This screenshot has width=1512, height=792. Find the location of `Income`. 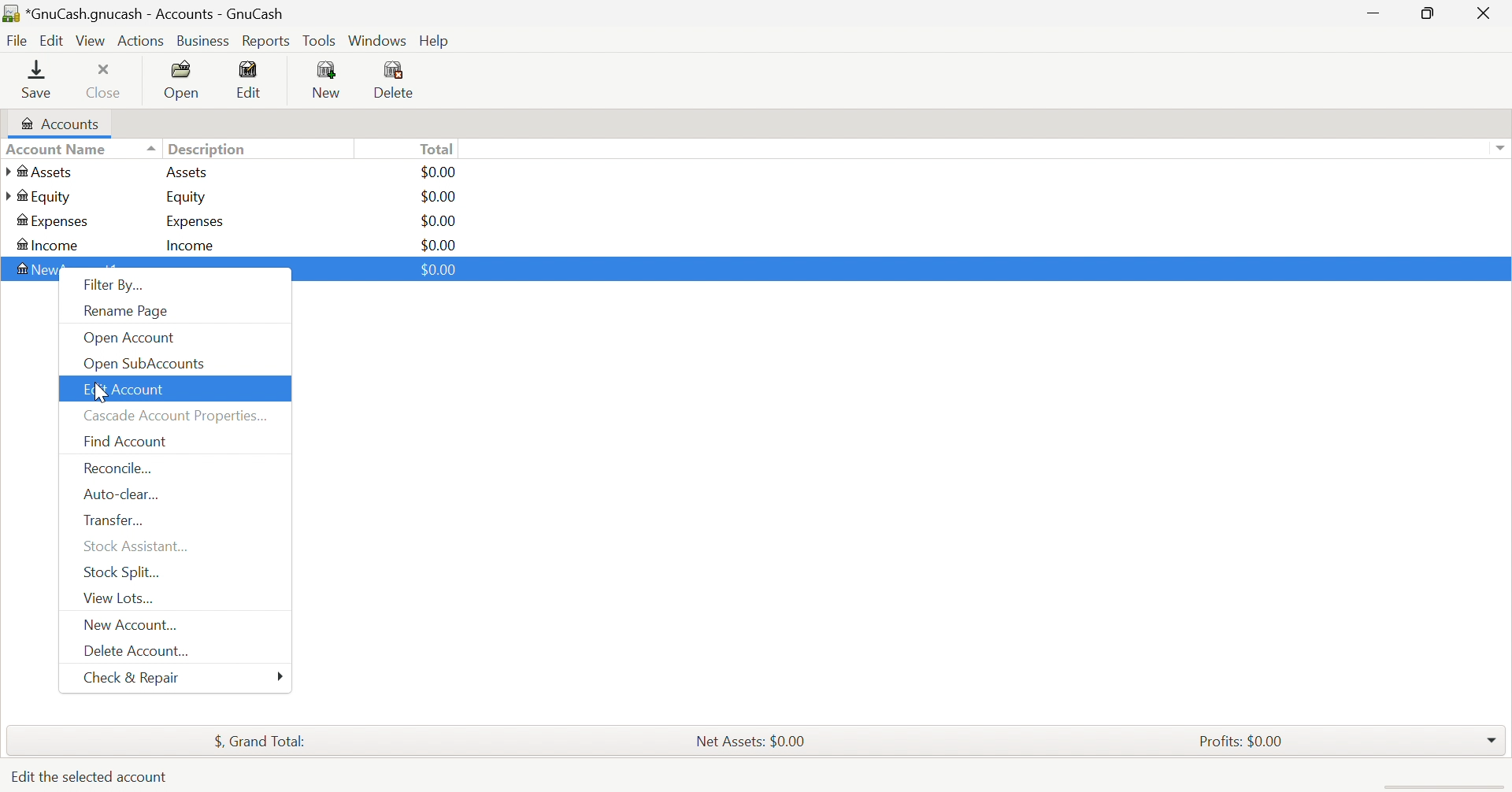

Income is located at coordinates (50, 244).